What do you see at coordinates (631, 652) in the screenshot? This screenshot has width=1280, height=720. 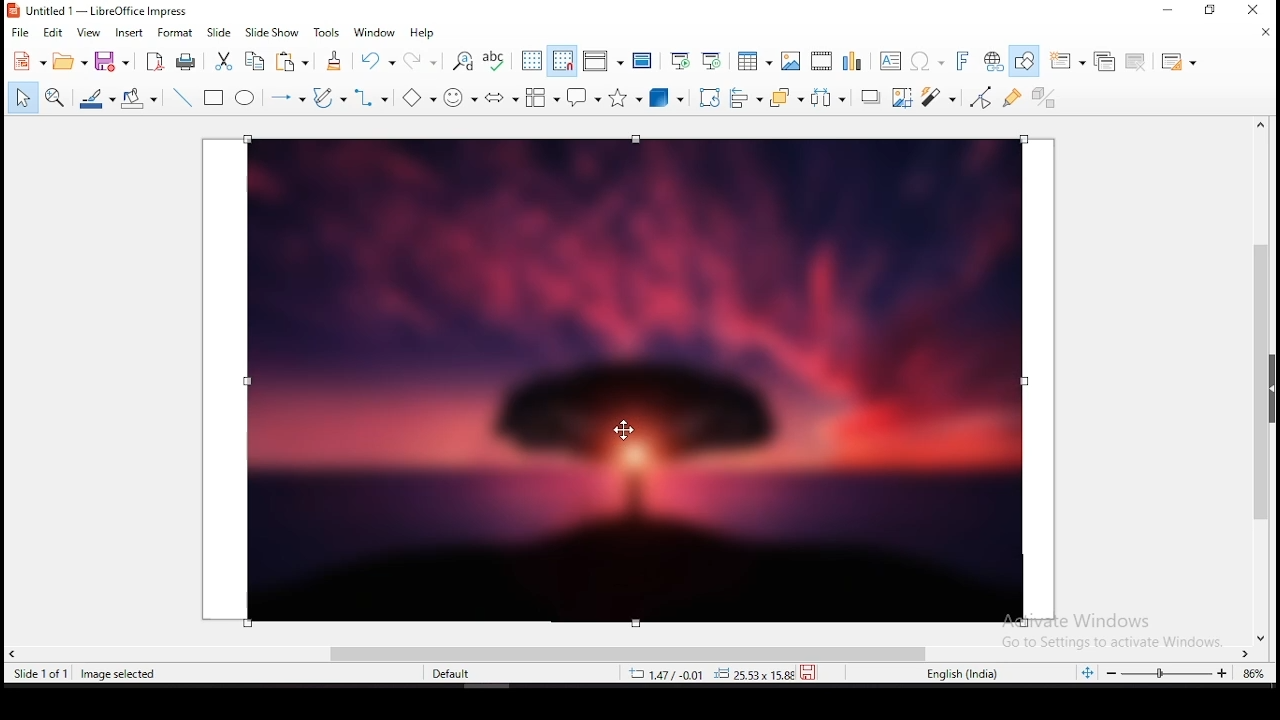 I see `scroll bar` at bounding box center [631, 652].